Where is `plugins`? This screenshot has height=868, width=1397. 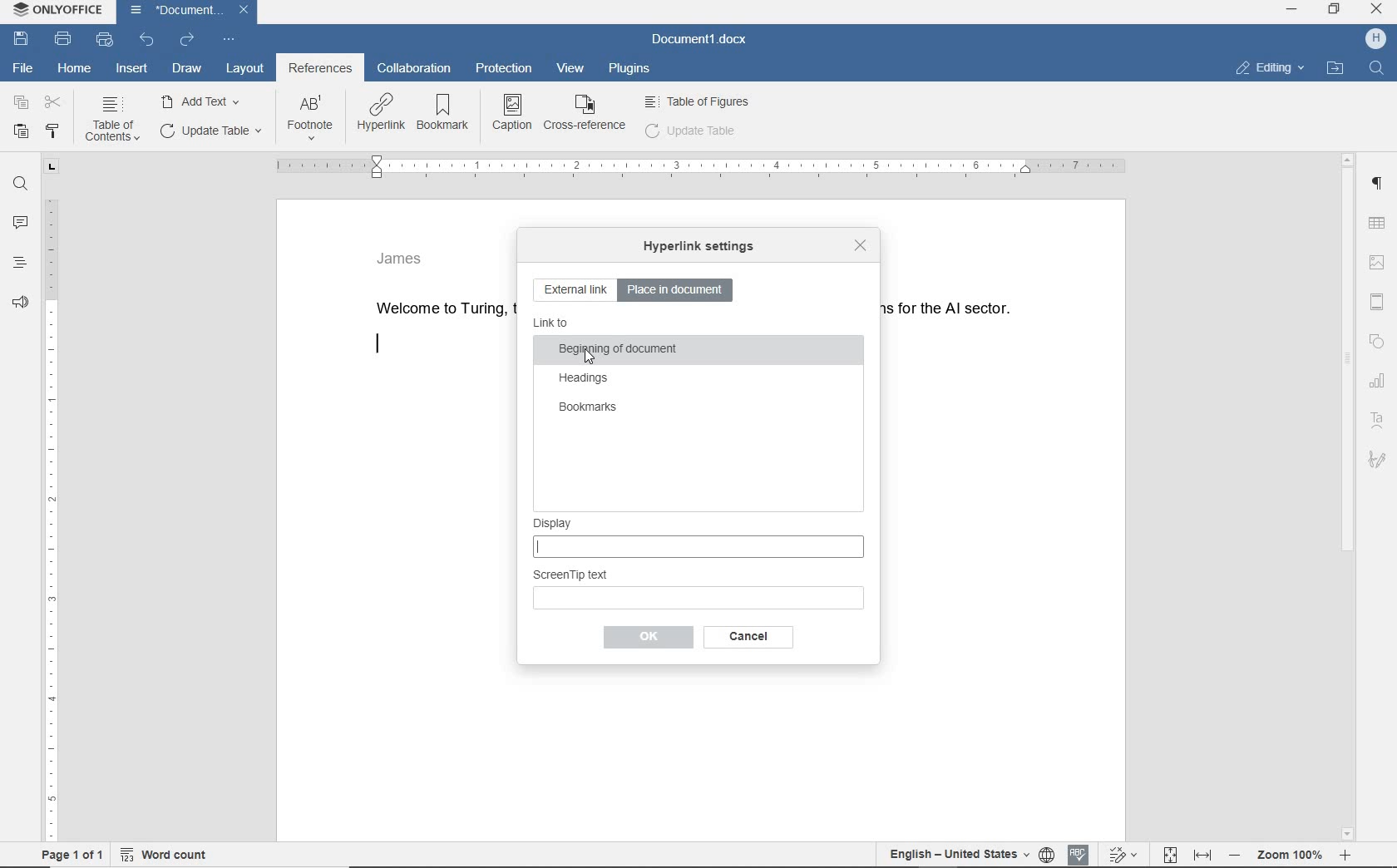 plugins is located at coordinates (631, 72).